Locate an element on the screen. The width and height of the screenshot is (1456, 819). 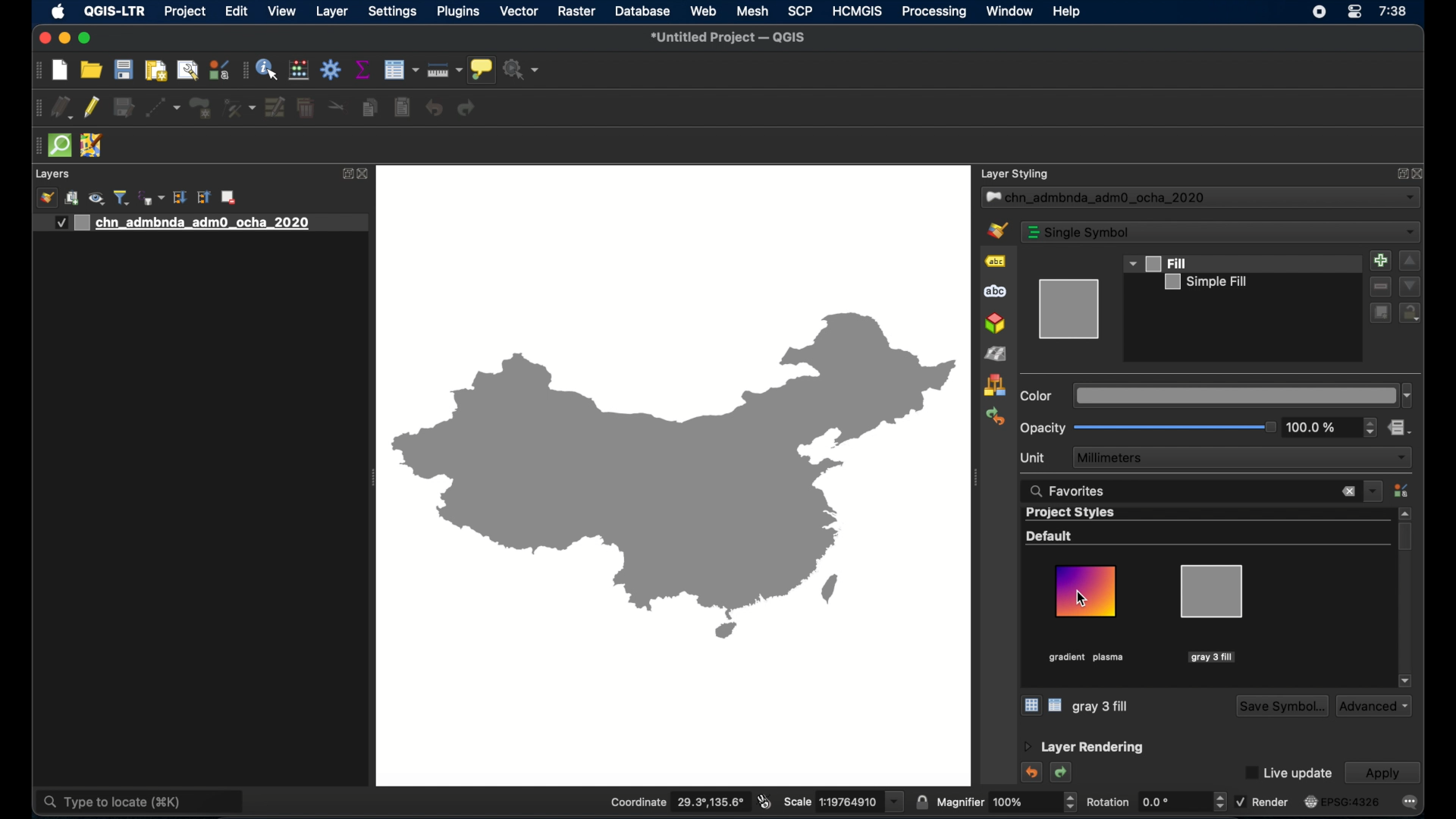
open layout manager is located at coordinates (188, 71).